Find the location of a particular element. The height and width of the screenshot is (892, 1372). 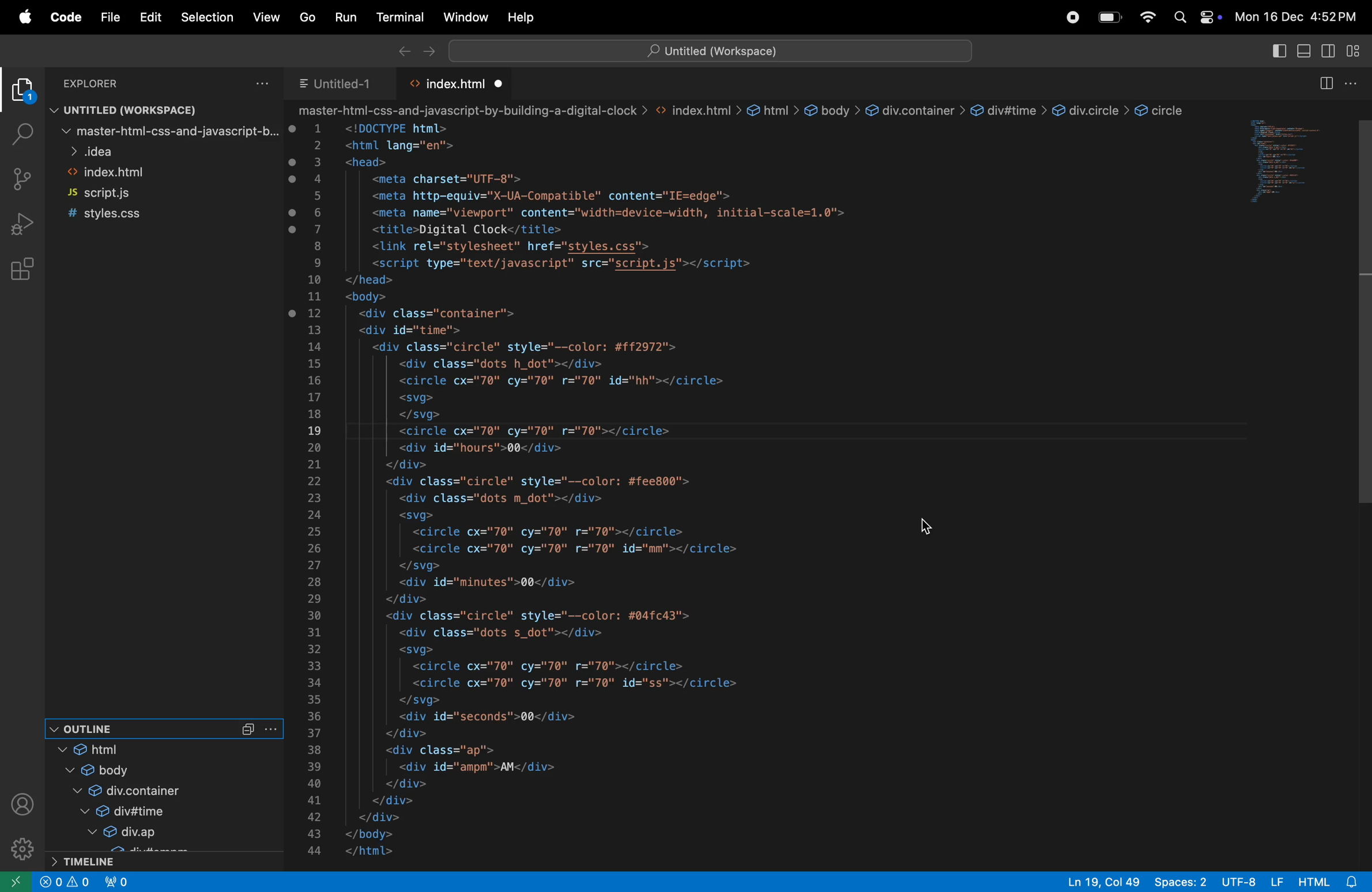

style css is located at coordinates (144, 214).